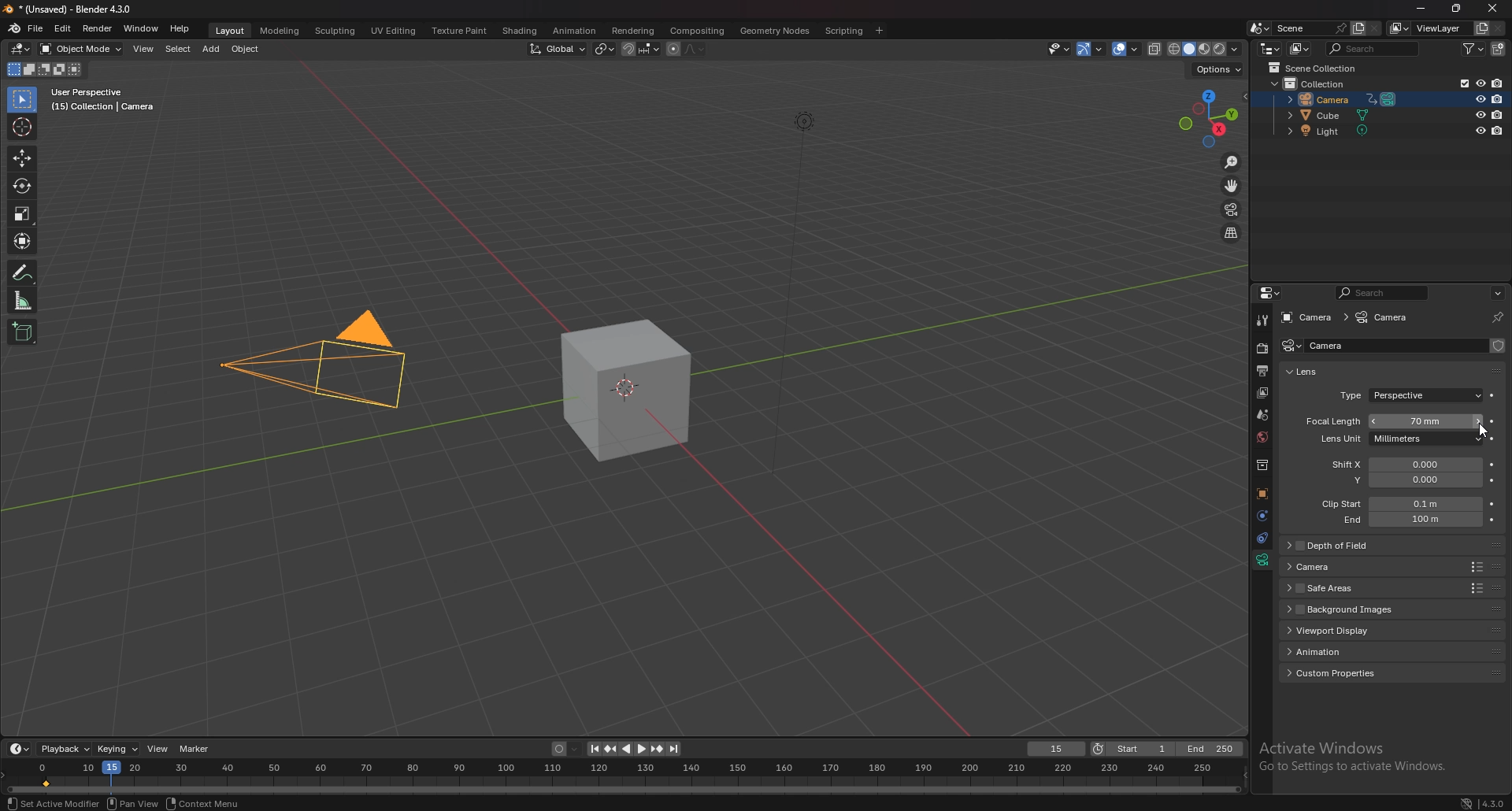  Describe the element at coordinates (1354, 757) in the screenshot. I see `` at that location.